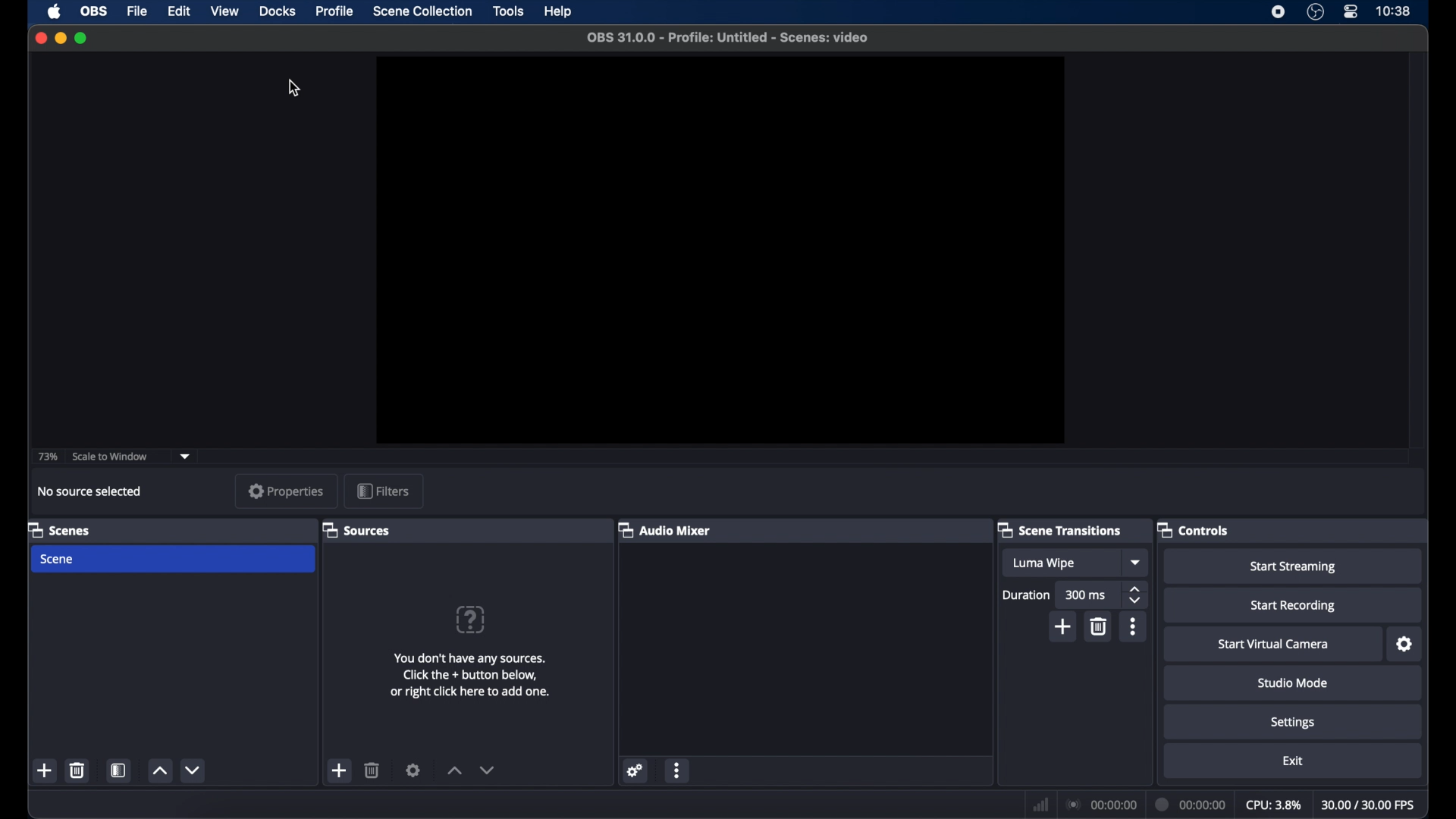 This screenshot has height=819, width=1456. I want to click on start virtual camera, so click(1274, 645).